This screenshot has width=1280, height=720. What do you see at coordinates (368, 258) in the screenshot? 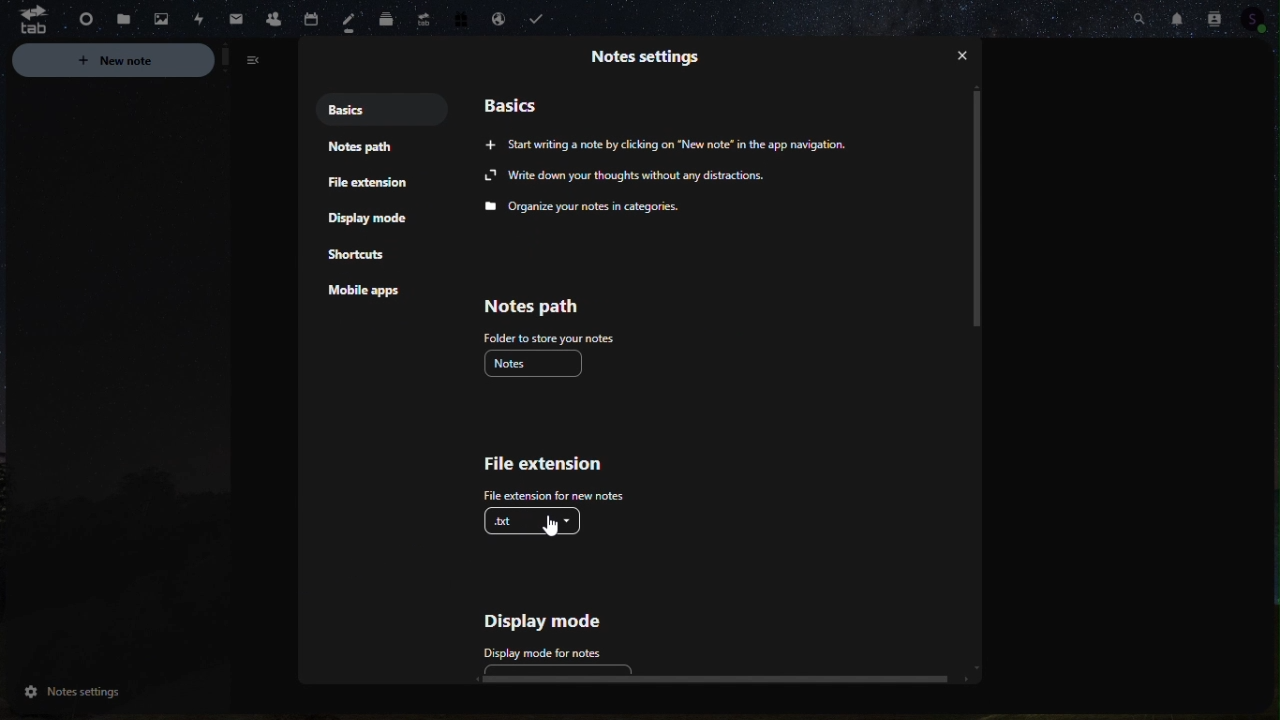
I see `Shortcut` at bounding box center [368, 258].